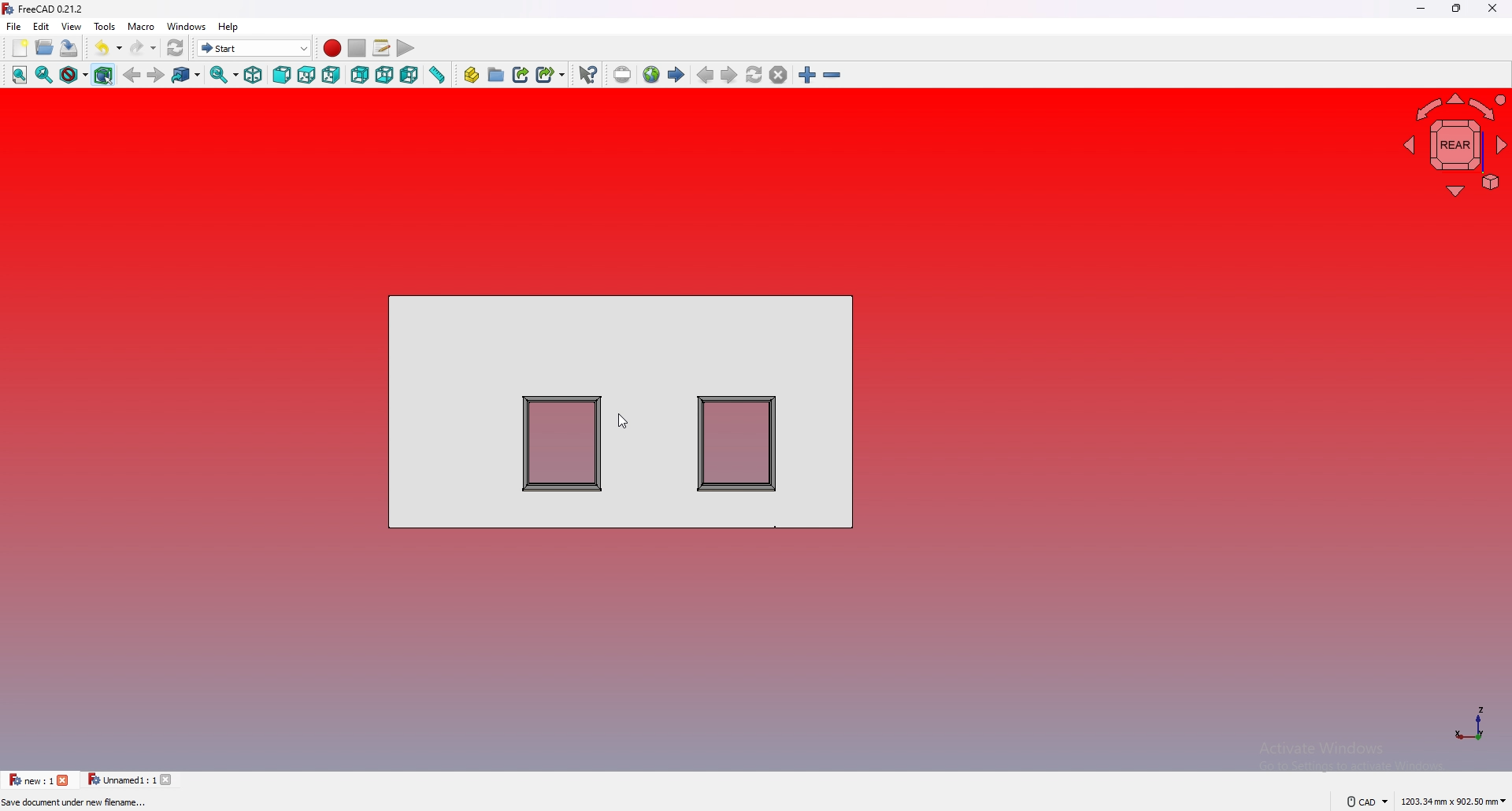 This screenshot has width=1512, height=811. What do you see at coordinates (332, 75) in the screenshot?
I see `right` at bounding box center [332, 75].